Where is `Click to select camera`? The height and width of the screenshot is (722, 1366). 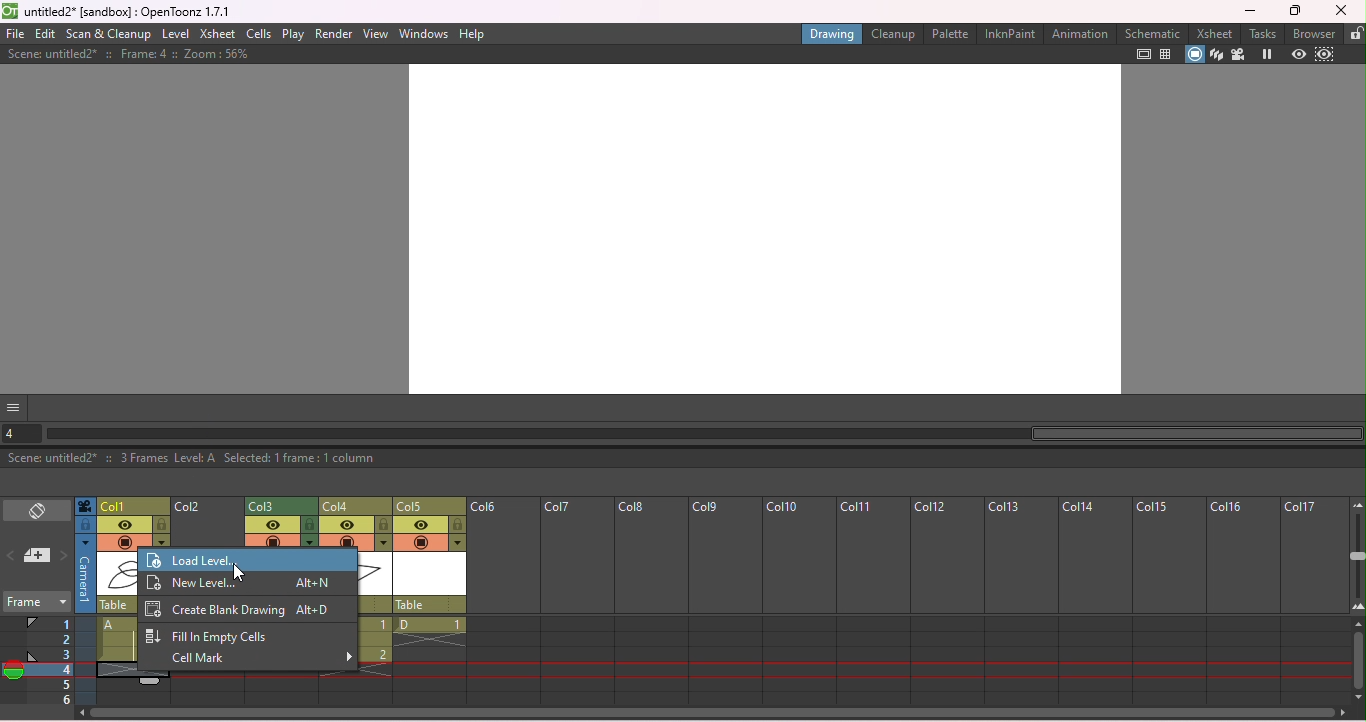 Click to select camera is located at coordinates (85, 506).